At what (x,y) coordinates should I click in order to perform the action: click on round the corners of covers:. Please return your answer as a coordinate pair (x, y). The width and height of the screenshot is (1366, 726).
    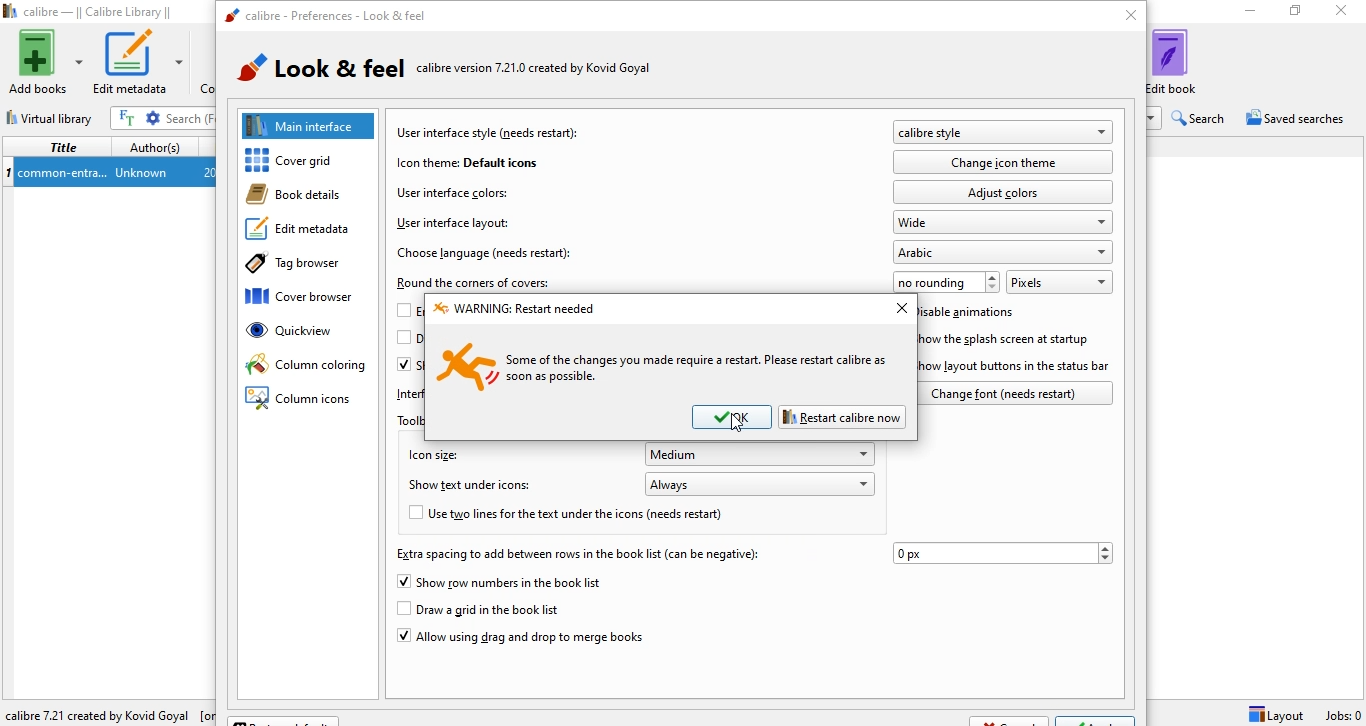
    Looking at the image, I should click on (477, 283).